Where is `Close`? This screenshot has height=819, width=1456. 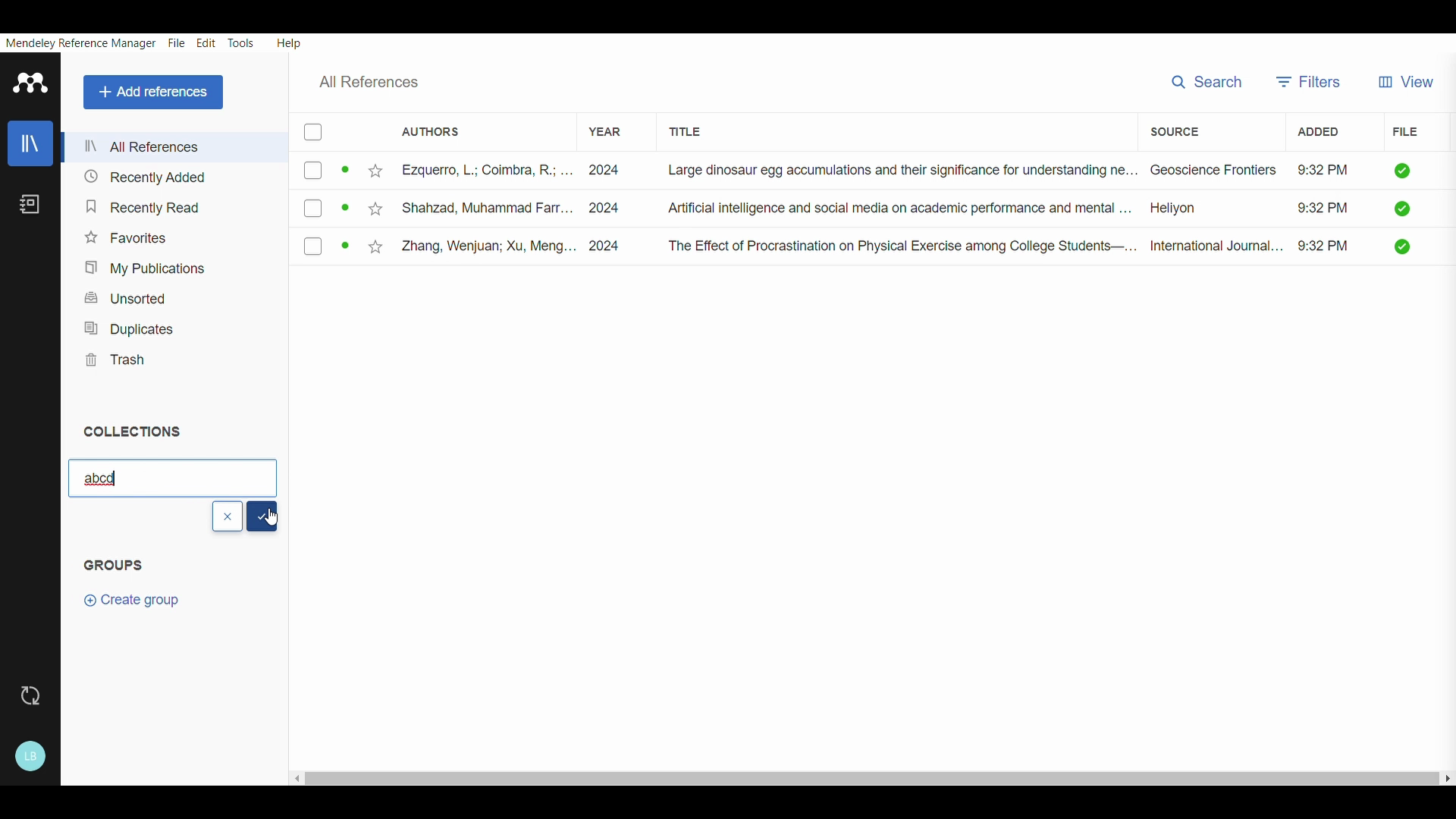 Close is located at coordinates (227, 516).